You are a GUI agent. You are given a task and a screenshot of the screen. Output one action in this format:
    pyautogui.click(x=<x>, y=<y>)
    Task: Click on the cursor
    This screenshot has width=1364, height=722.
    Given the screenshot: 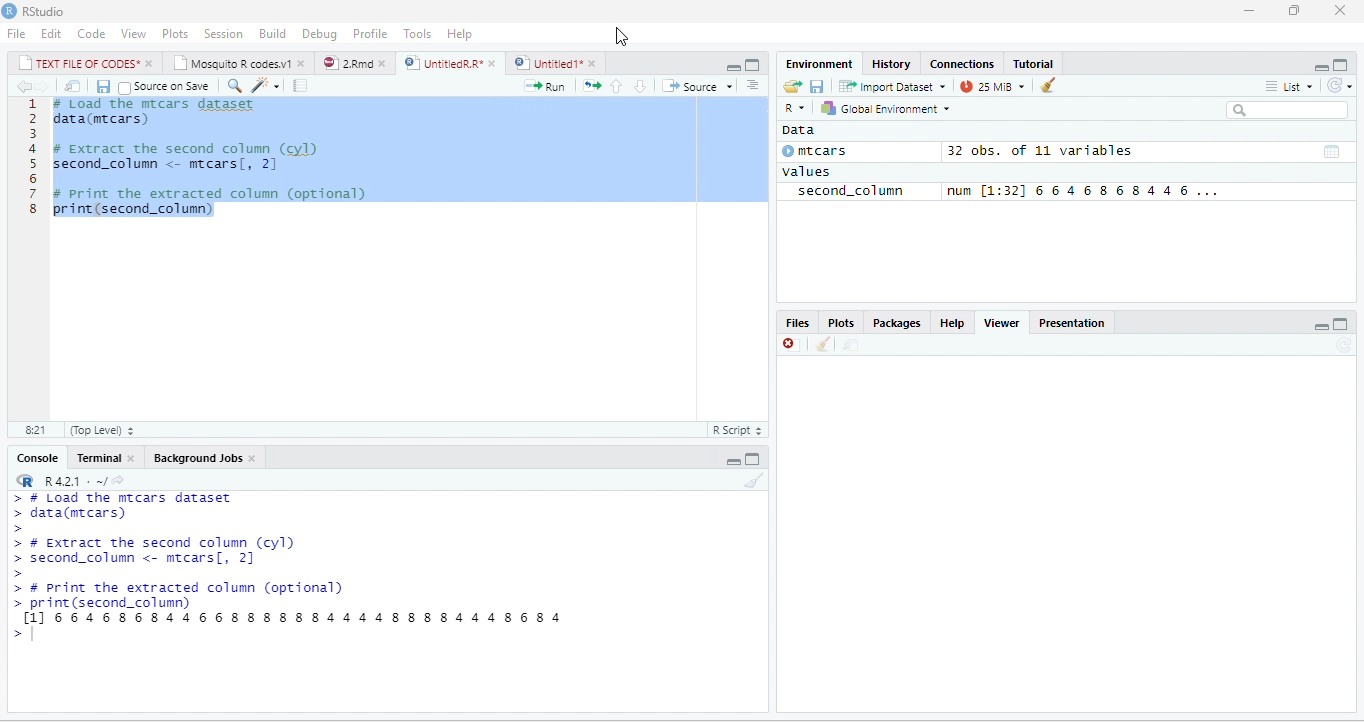 What is the action you would take?
    pyautogui.click(x=622, y=36)
    